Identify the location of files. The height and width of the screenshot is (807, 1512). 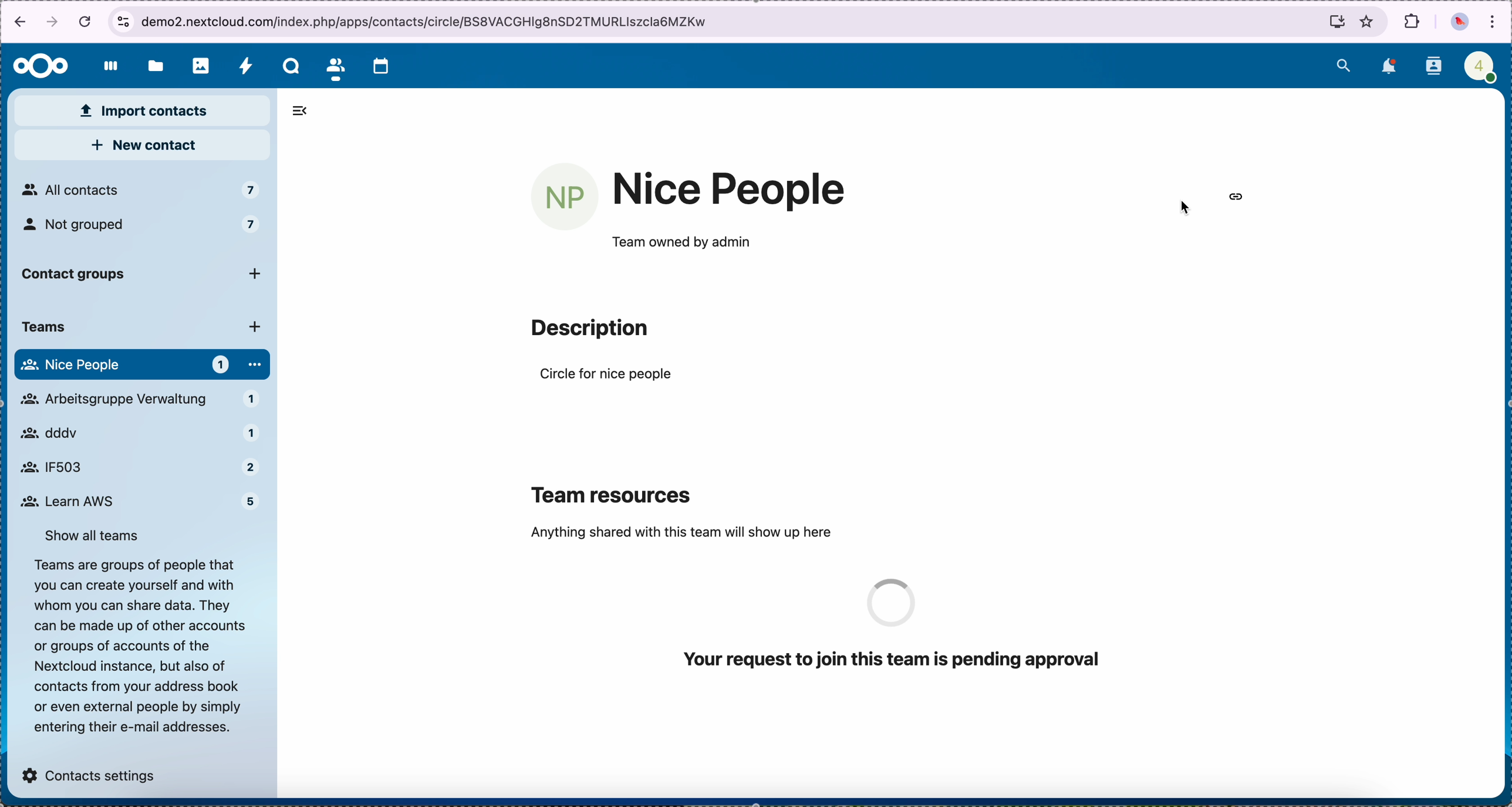
(153, 65).